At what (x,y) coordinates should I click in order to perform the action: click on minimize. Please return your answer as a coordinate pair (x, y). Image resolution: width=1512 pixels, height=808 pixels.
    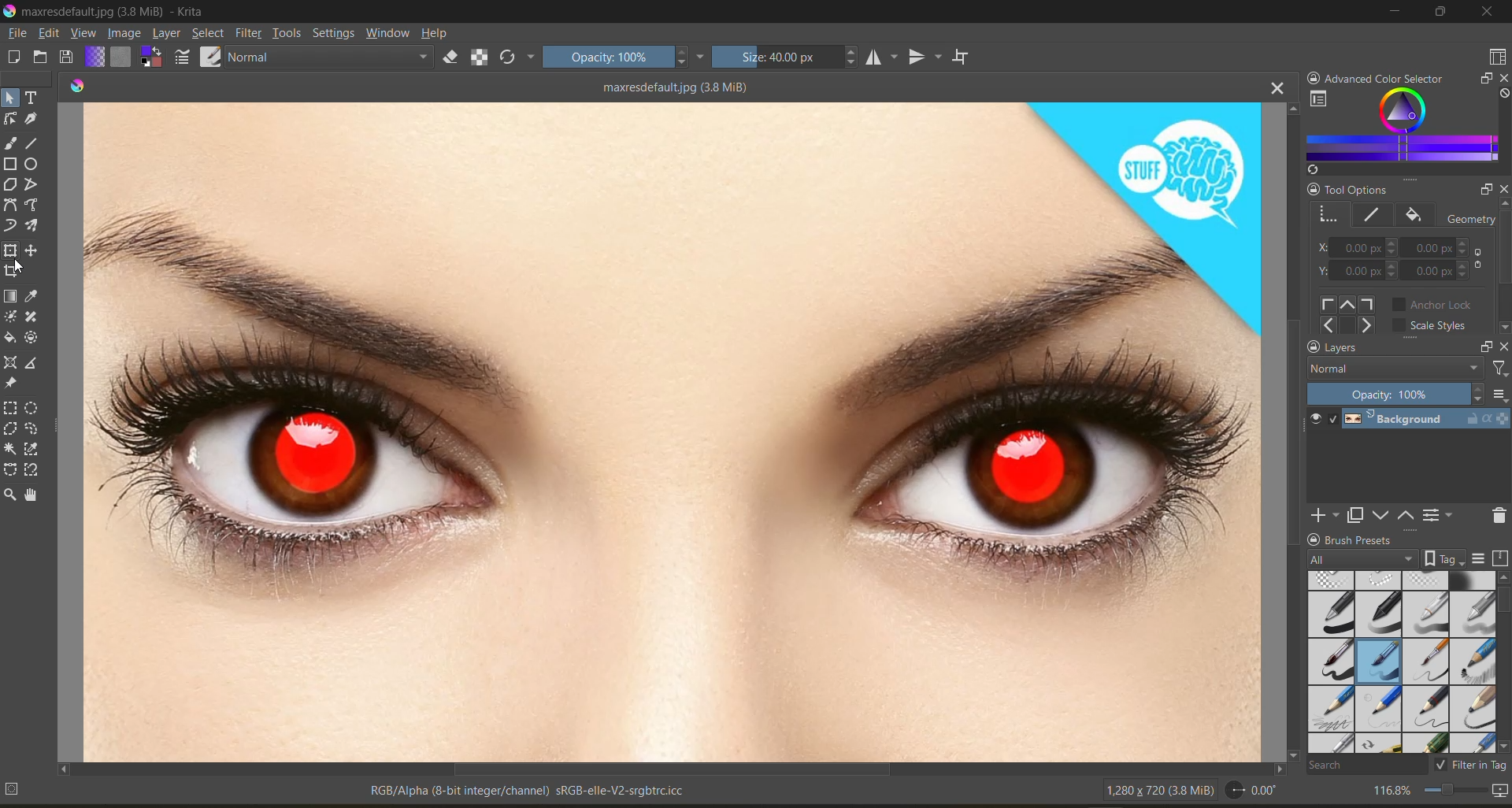
    Looking at the image, I should click on (1396, 14).